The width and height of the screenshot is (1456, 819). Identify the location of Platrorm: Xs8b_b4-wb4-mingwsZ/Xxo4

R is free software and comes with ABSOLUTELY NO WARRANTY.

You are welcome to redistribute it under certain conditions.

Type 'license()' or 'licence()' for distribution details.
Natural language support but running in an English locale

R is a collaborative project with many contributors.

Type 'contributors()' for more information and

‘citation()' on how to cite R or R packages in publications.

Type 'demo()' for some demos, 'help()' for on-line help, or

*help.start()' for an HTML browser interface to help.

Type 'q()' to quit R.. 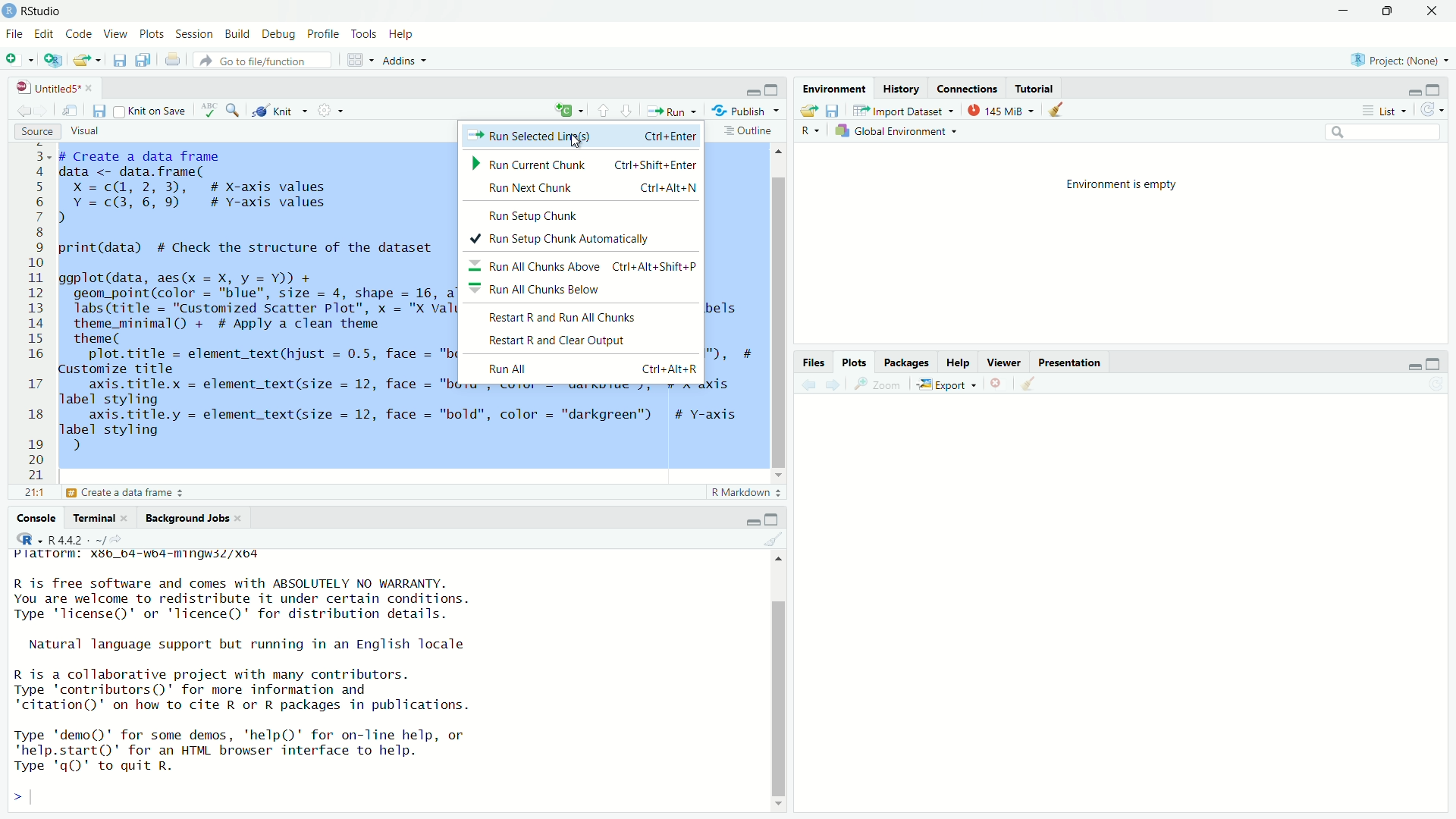
(256, 659).